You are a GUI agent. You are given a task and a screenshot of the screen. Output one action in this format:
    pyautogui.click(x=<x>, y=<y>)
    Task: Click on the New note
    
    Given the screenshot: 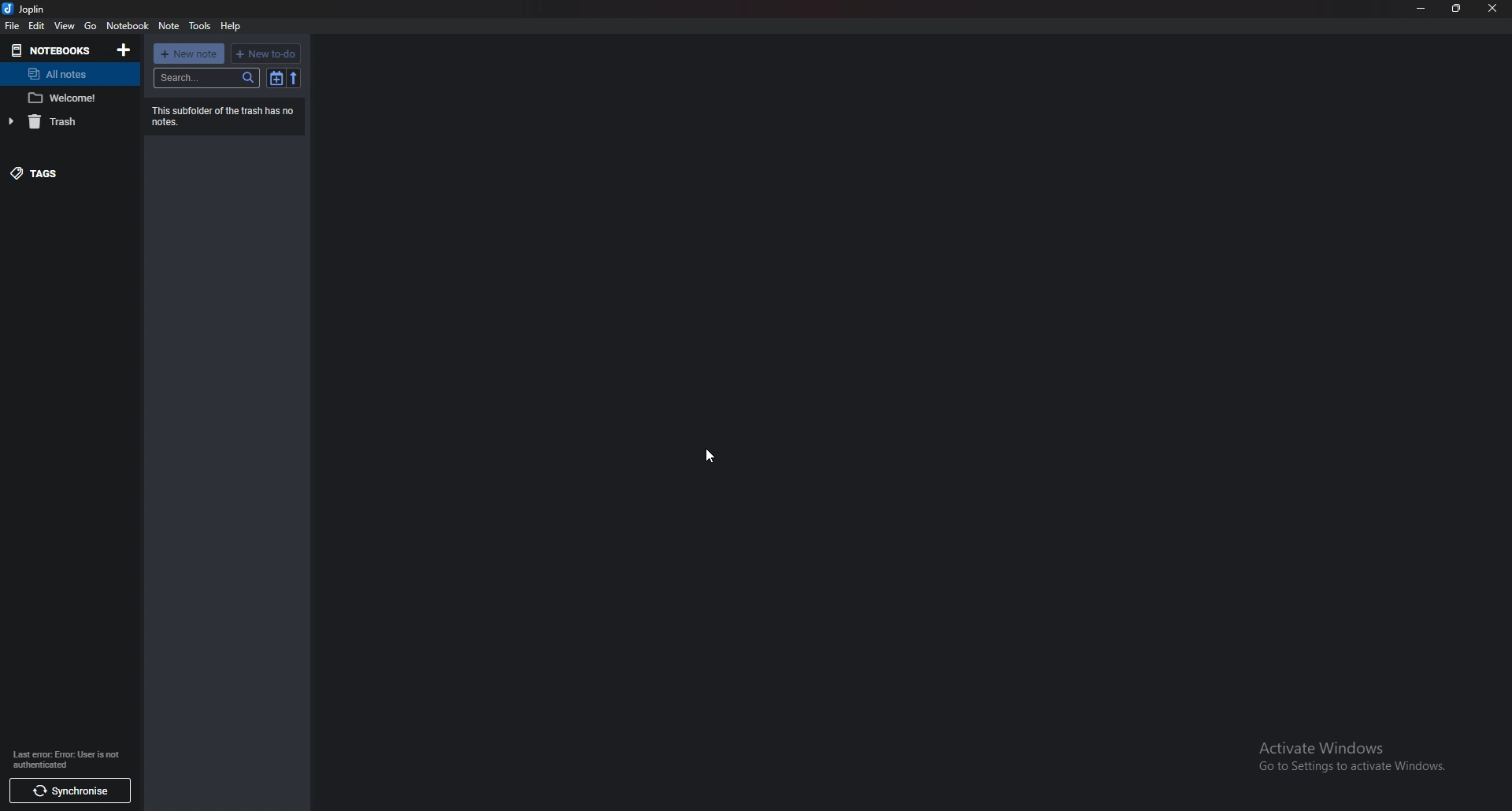 What is the action you would take?
    pyautogui.click(x=187, y=54)
    